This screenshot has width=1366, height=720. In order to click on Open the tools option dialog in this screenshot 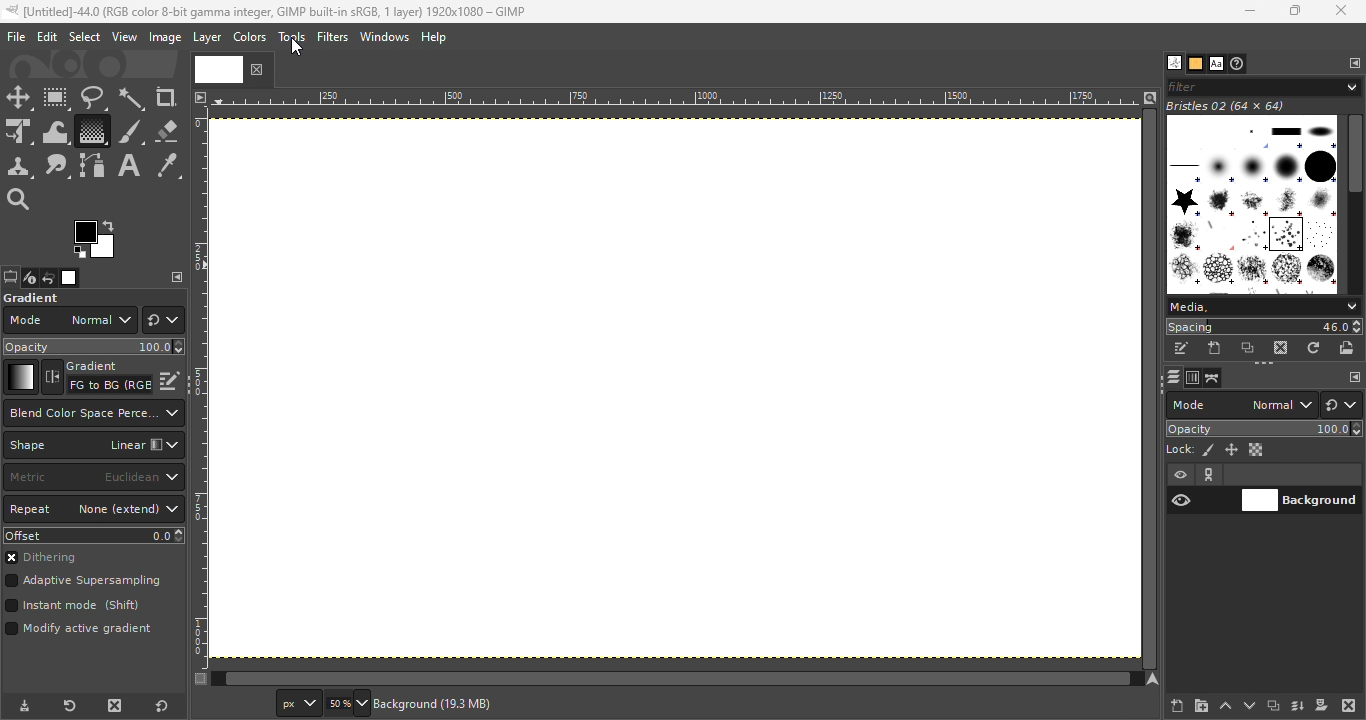, I will do `click(9, 279)`.